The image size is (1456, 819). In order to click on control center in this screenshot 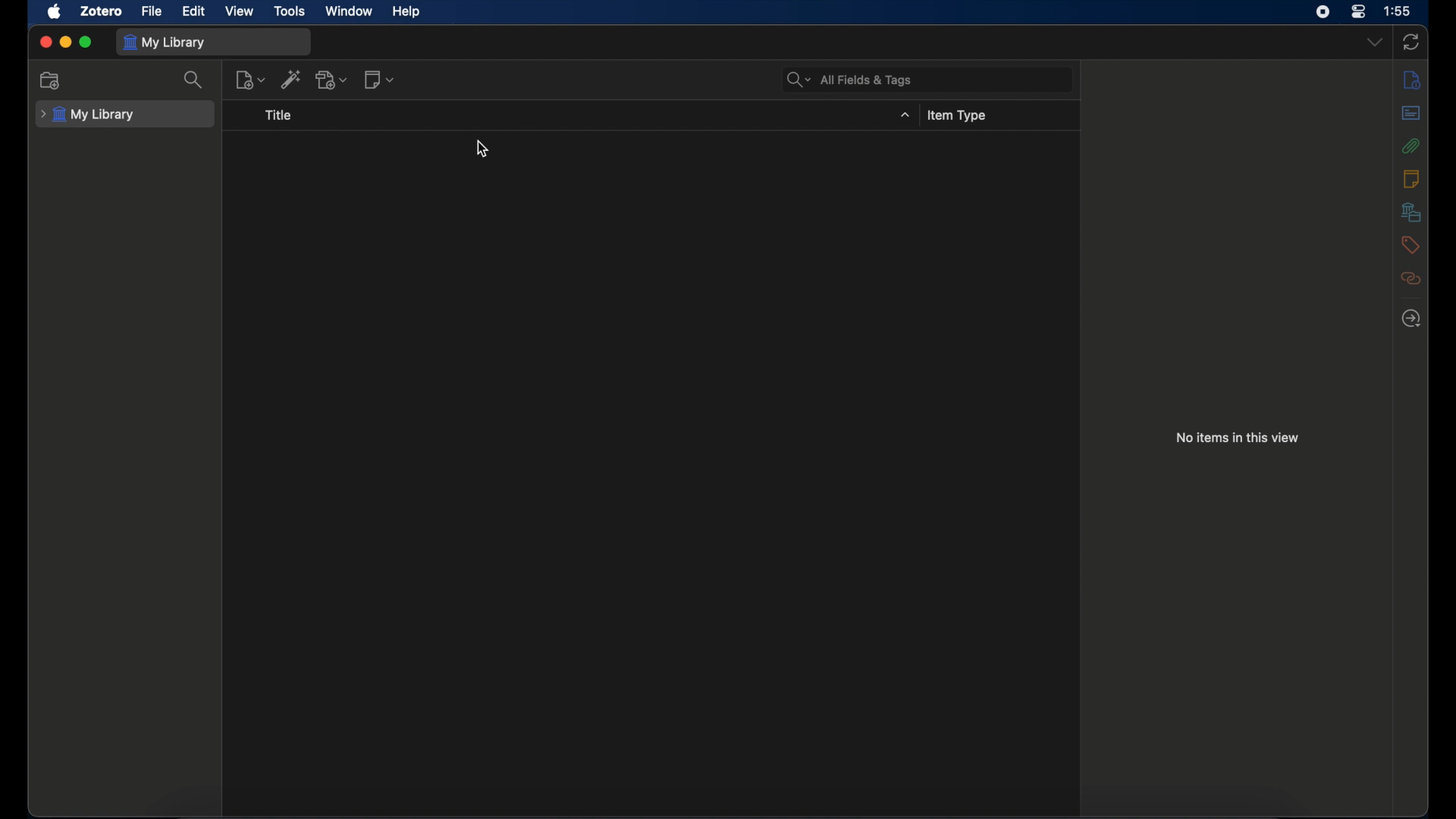, I will do `click(1359, 12)`.